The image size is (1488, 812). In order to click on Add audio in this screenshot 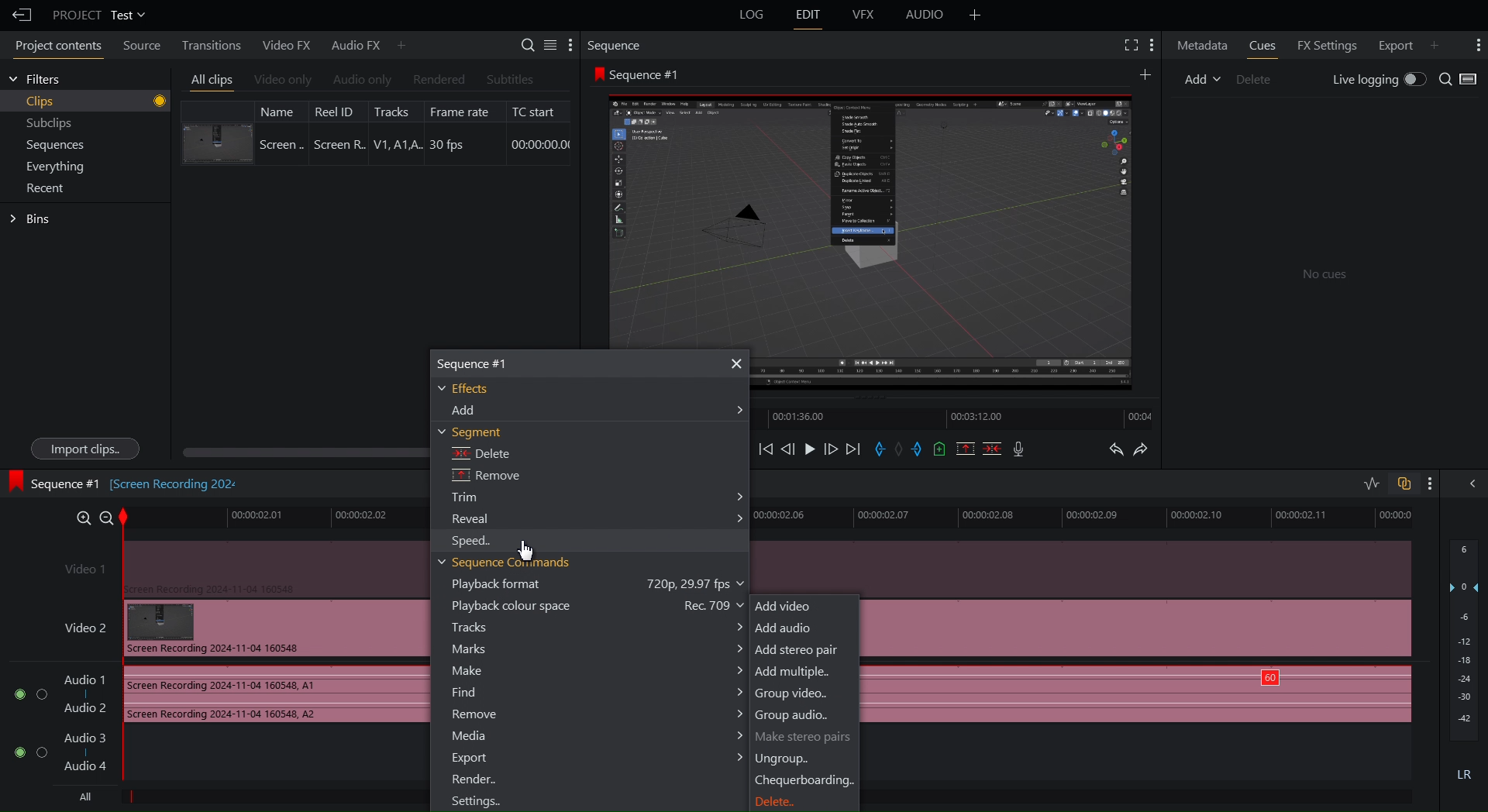, I will do `click(786, 628)`.